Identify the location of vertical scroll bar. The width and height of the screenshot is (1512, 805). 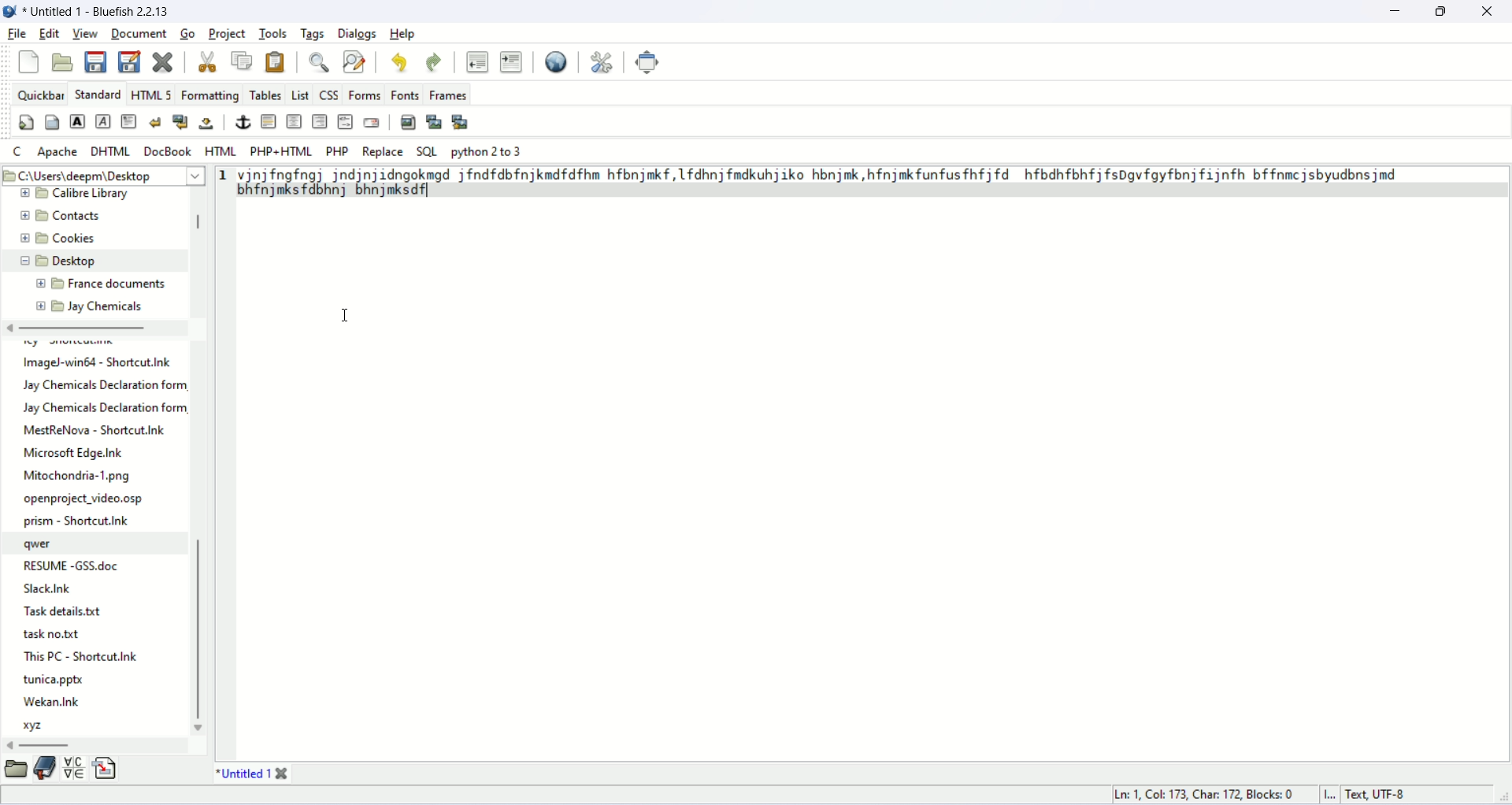
(198, 225).